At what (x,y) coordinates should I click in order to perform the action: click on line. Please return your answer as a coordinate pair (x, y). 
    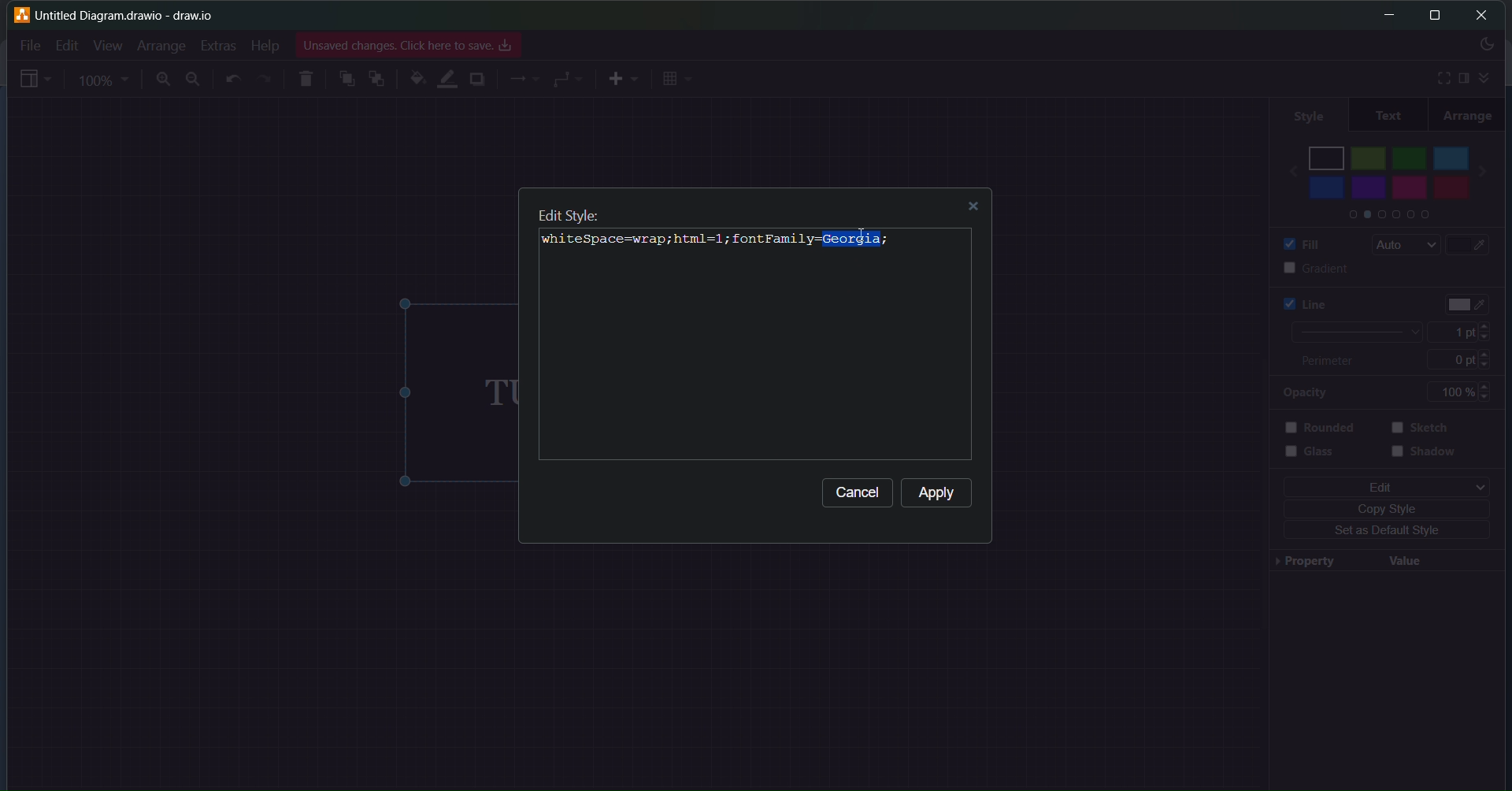
    Looking at the image, I should click on (1296, 303).